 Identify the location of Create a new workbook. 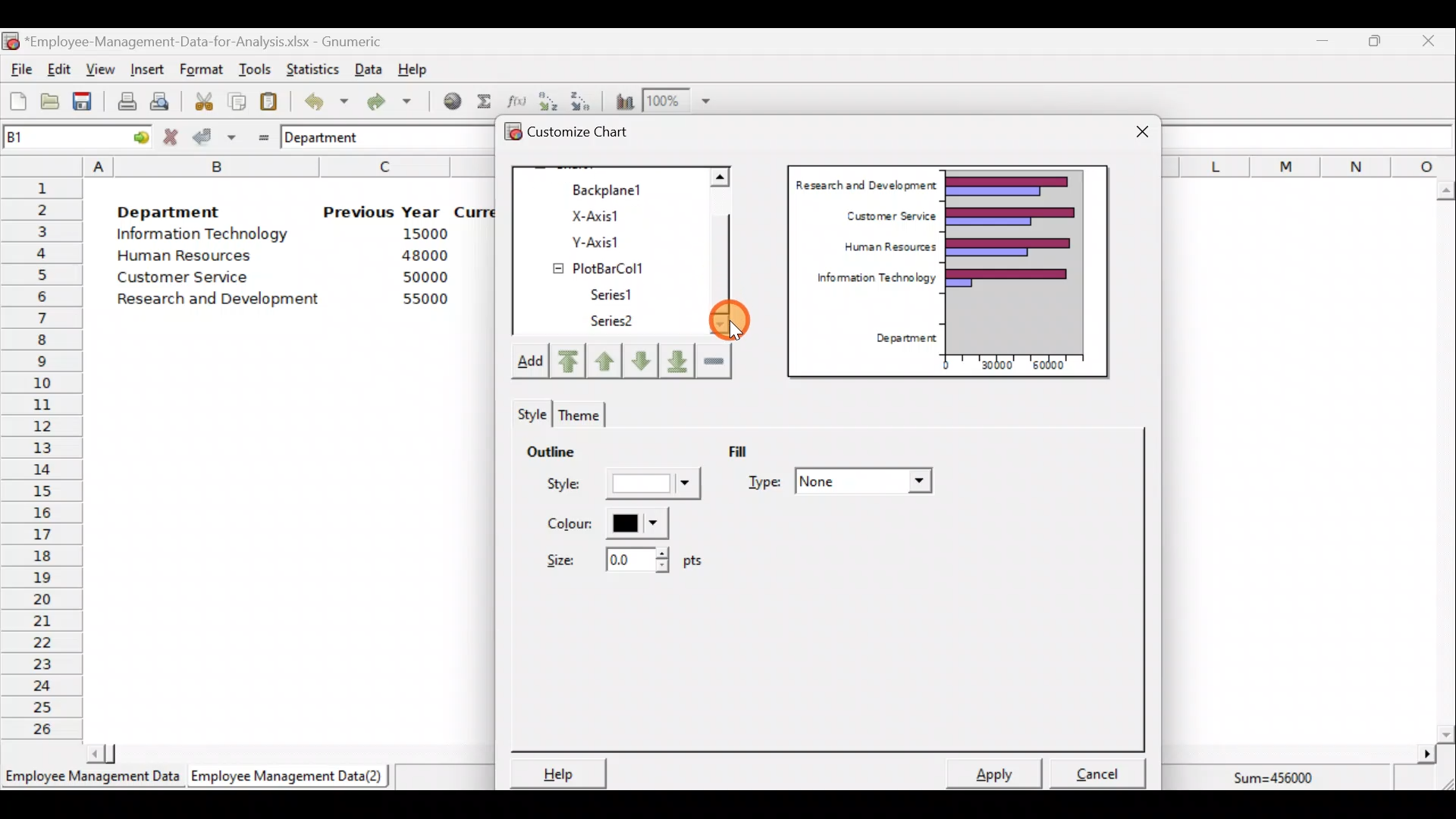
(18, 101).